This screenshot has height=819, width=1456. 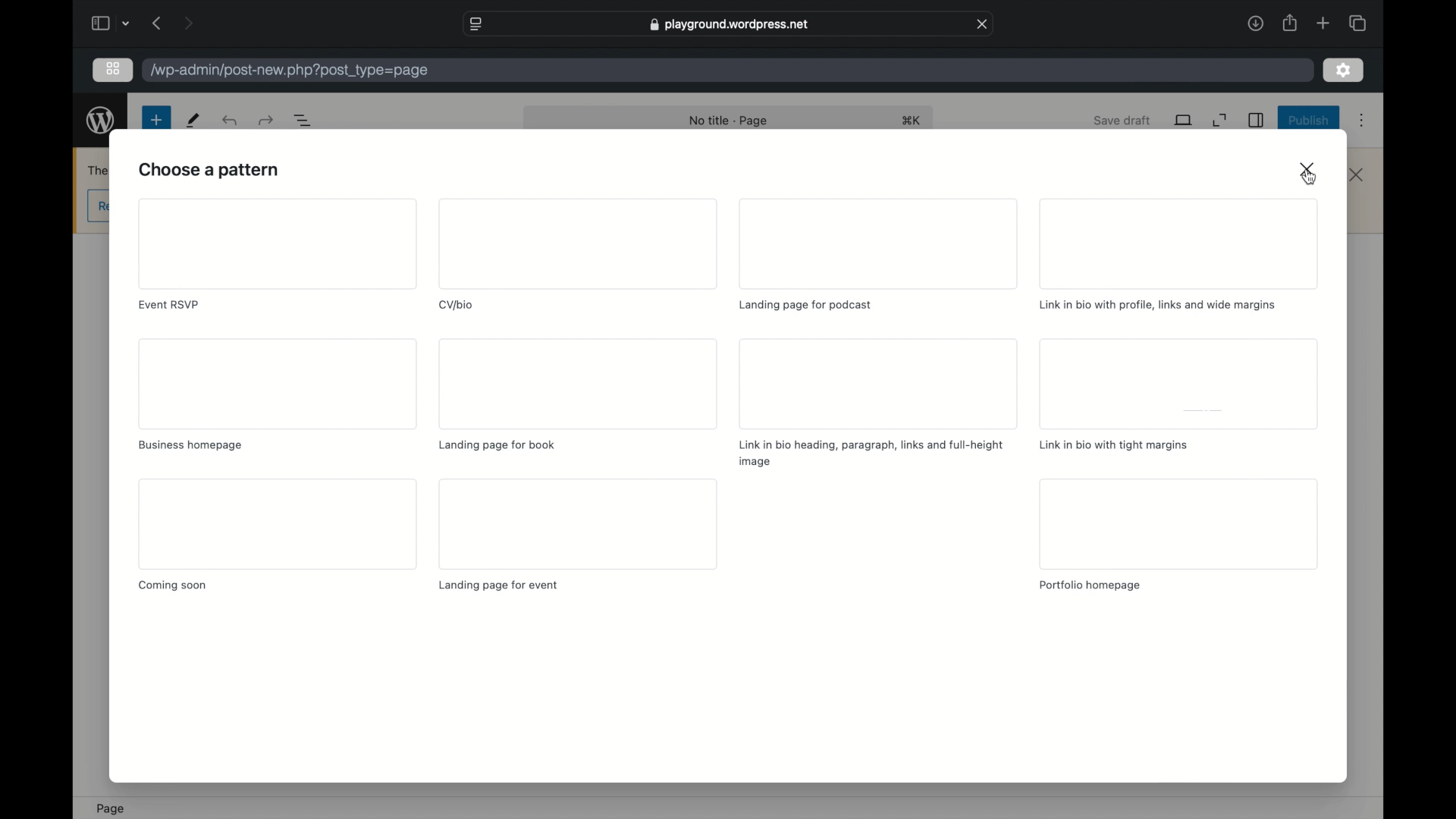 What do you see at coordinates (475, 23) in the screenshot?
I see `website settings` at bounding box center [475, 23].